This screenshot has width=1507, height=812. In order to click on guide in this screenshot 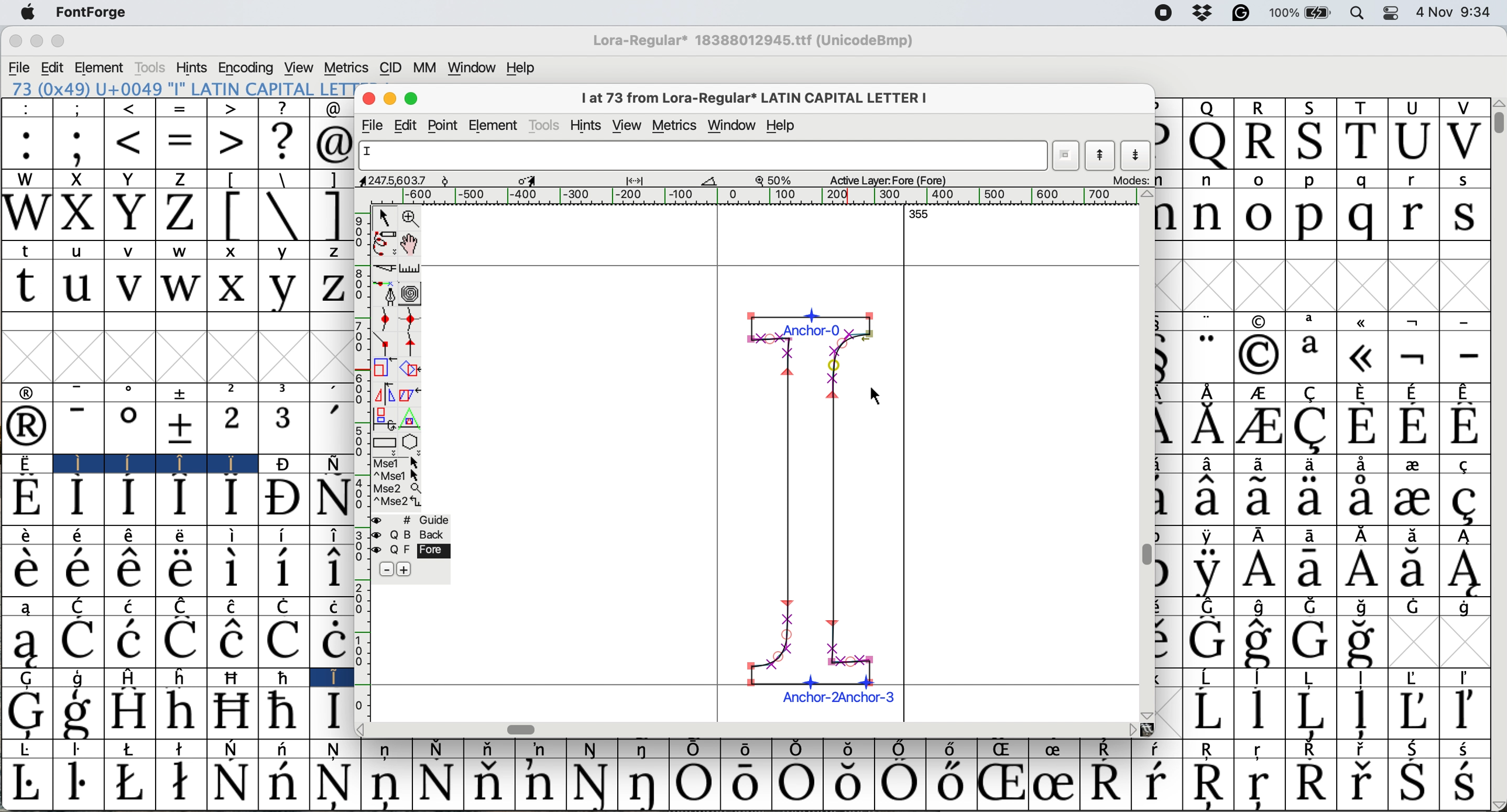, I will do `click(426, 519)`.